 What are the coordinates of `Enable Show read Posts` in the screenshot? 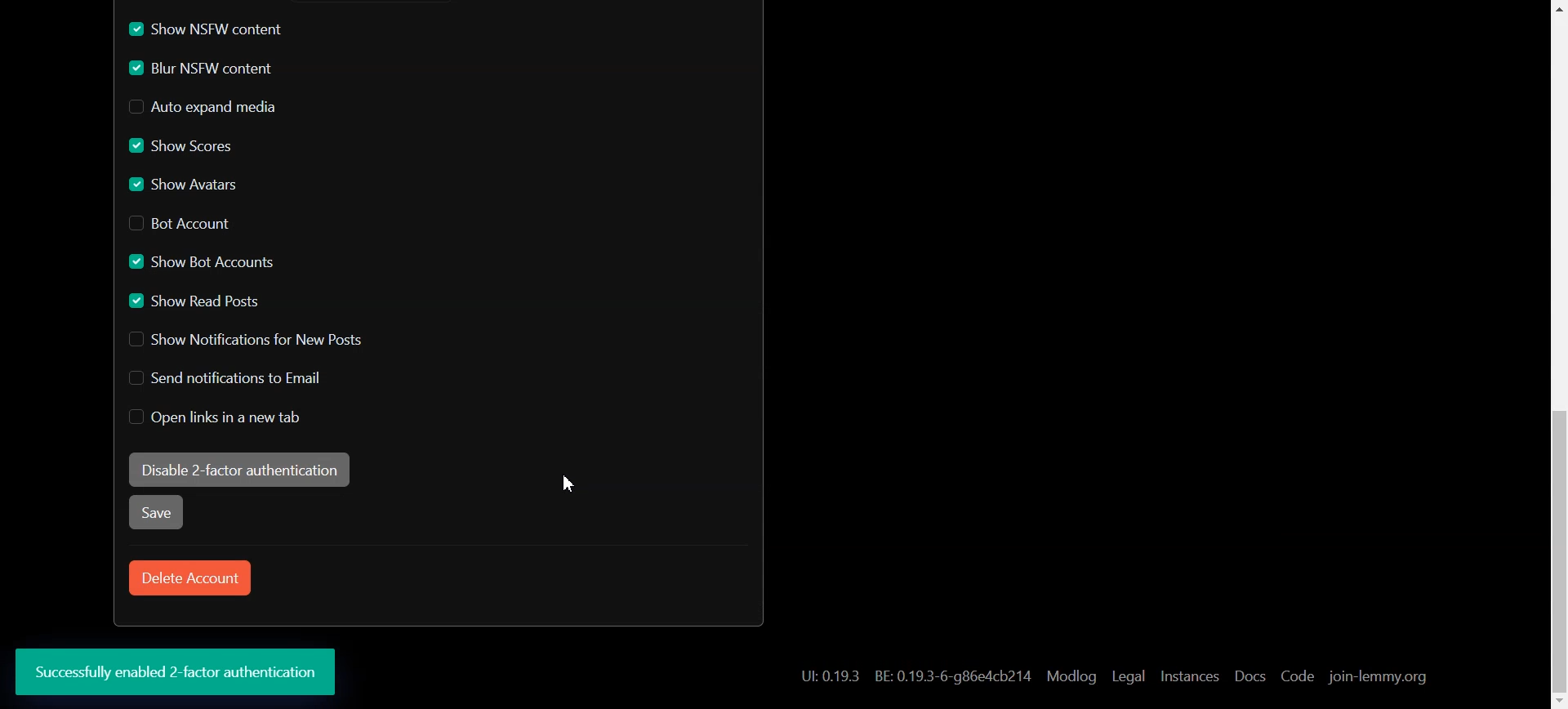 It's located at (203, 300).